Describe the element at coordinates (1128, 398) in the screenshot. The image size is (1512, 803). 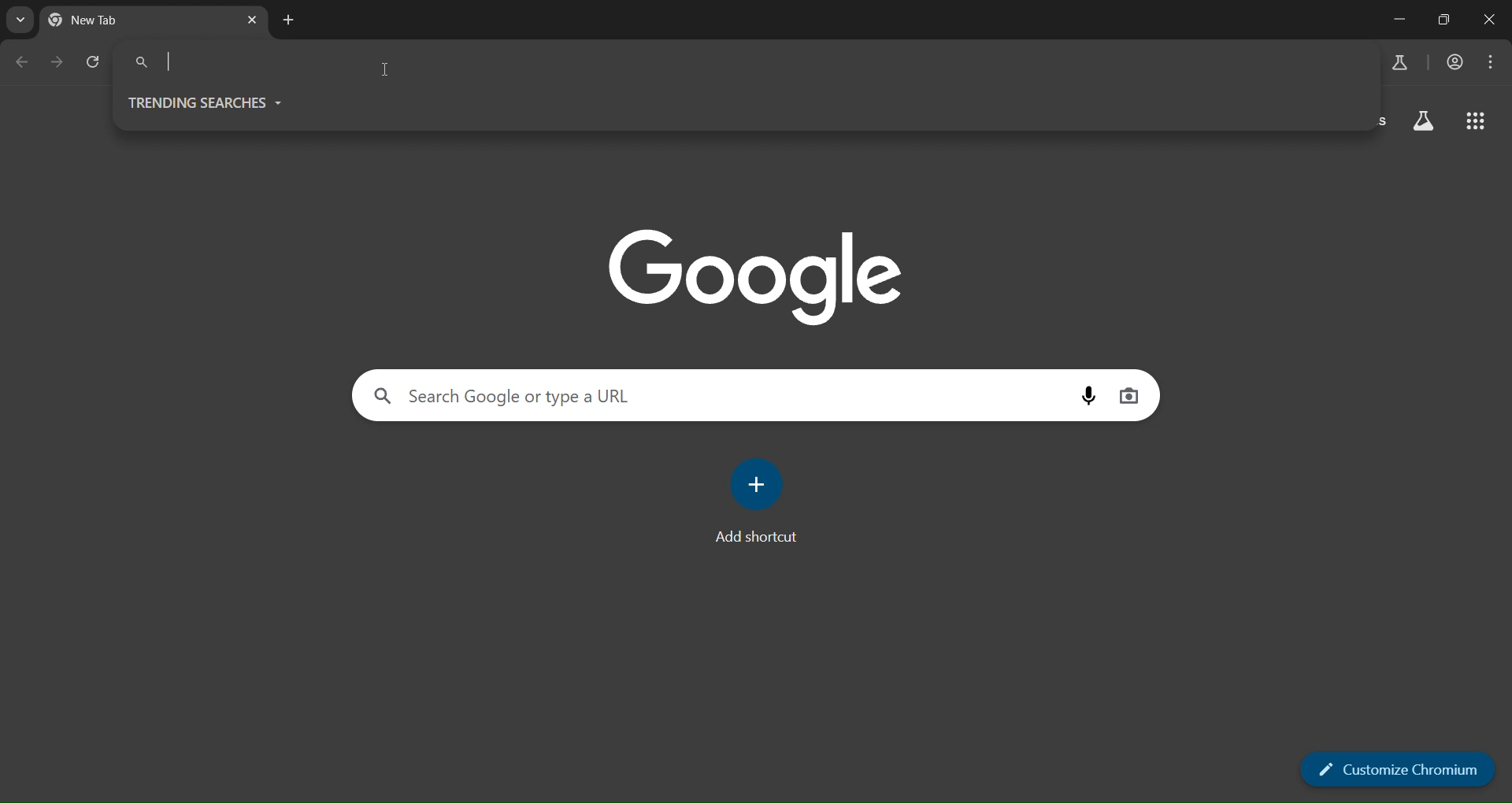
I see `image search` at that location.